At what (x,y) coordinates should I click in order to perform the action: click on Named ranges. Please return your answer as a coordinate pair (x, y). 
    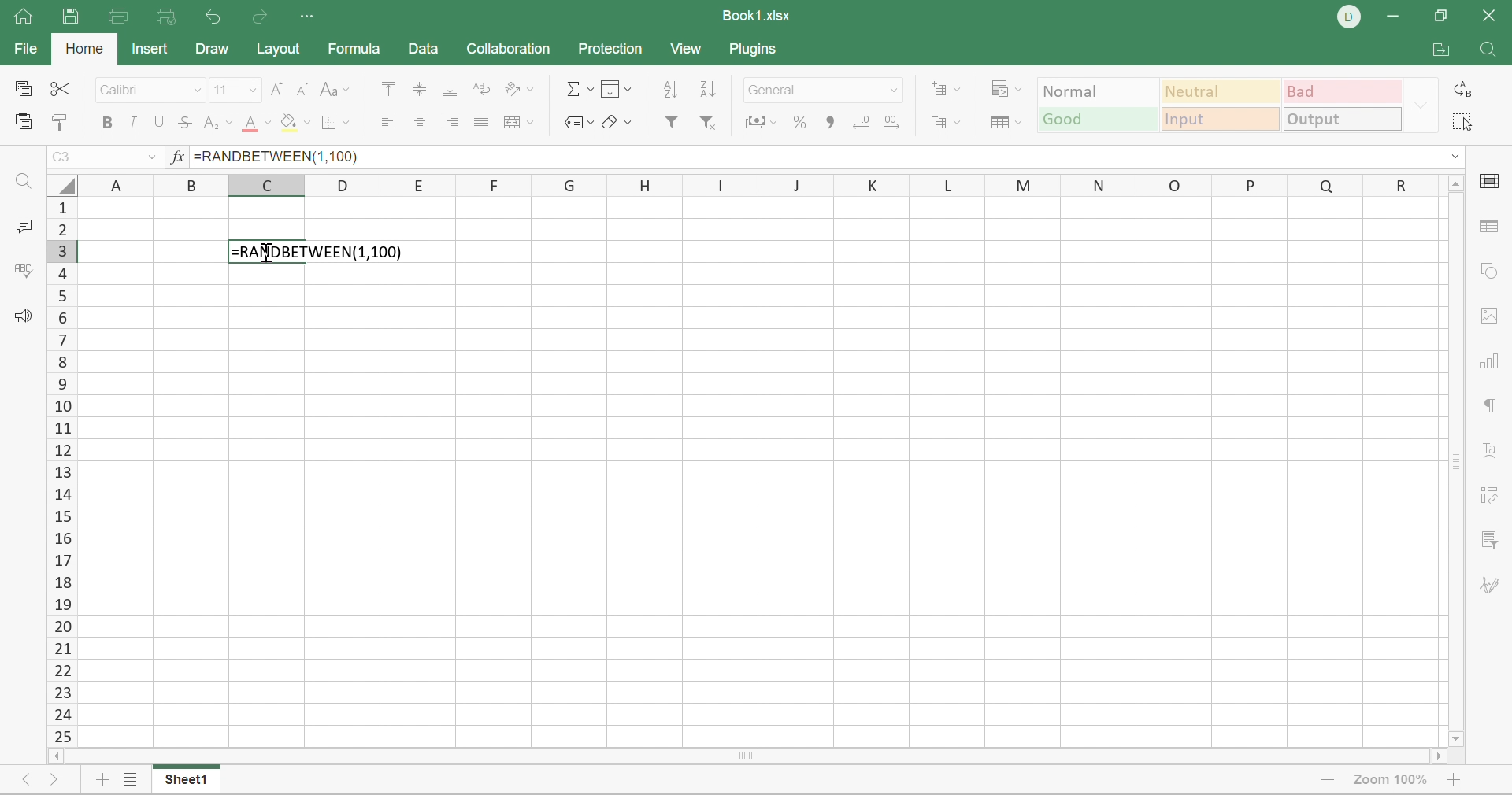
    Looking at the image, I should click on (580, 122).